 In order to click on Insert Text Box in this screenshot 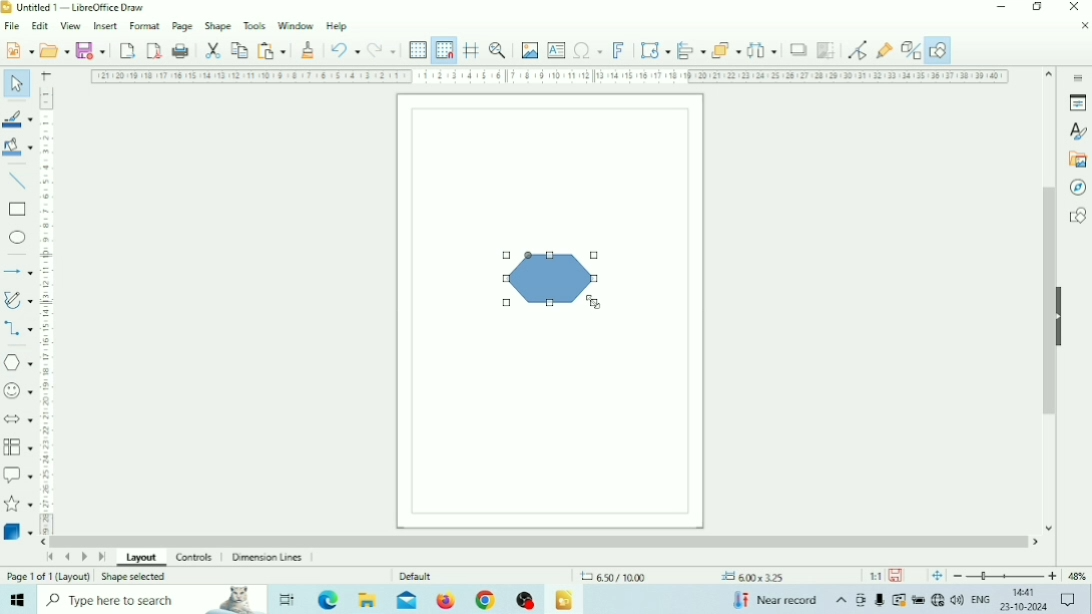, I will do `click(557, 49)`.